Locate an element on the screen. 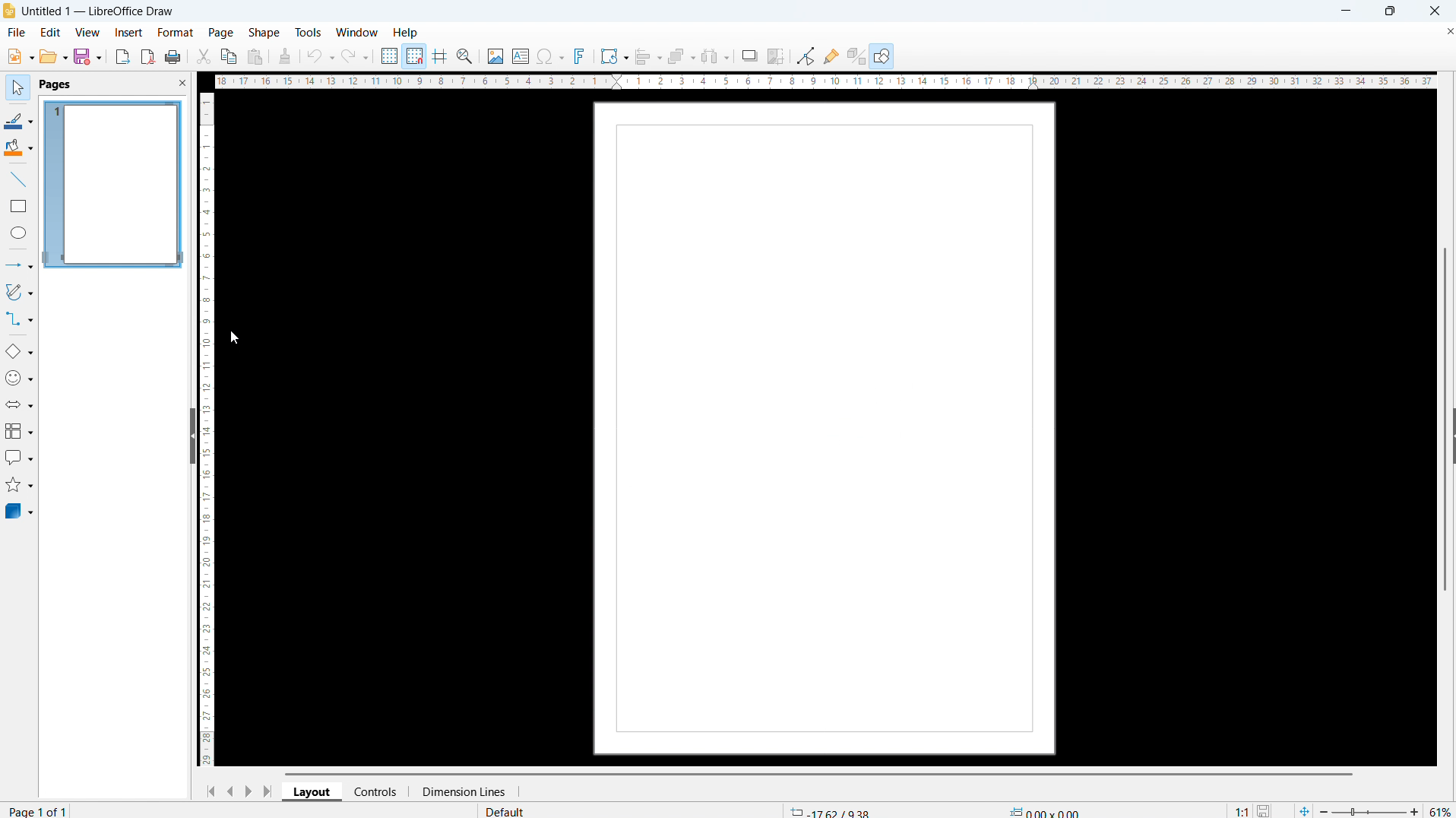  line color is located at coordinates (19, 120).